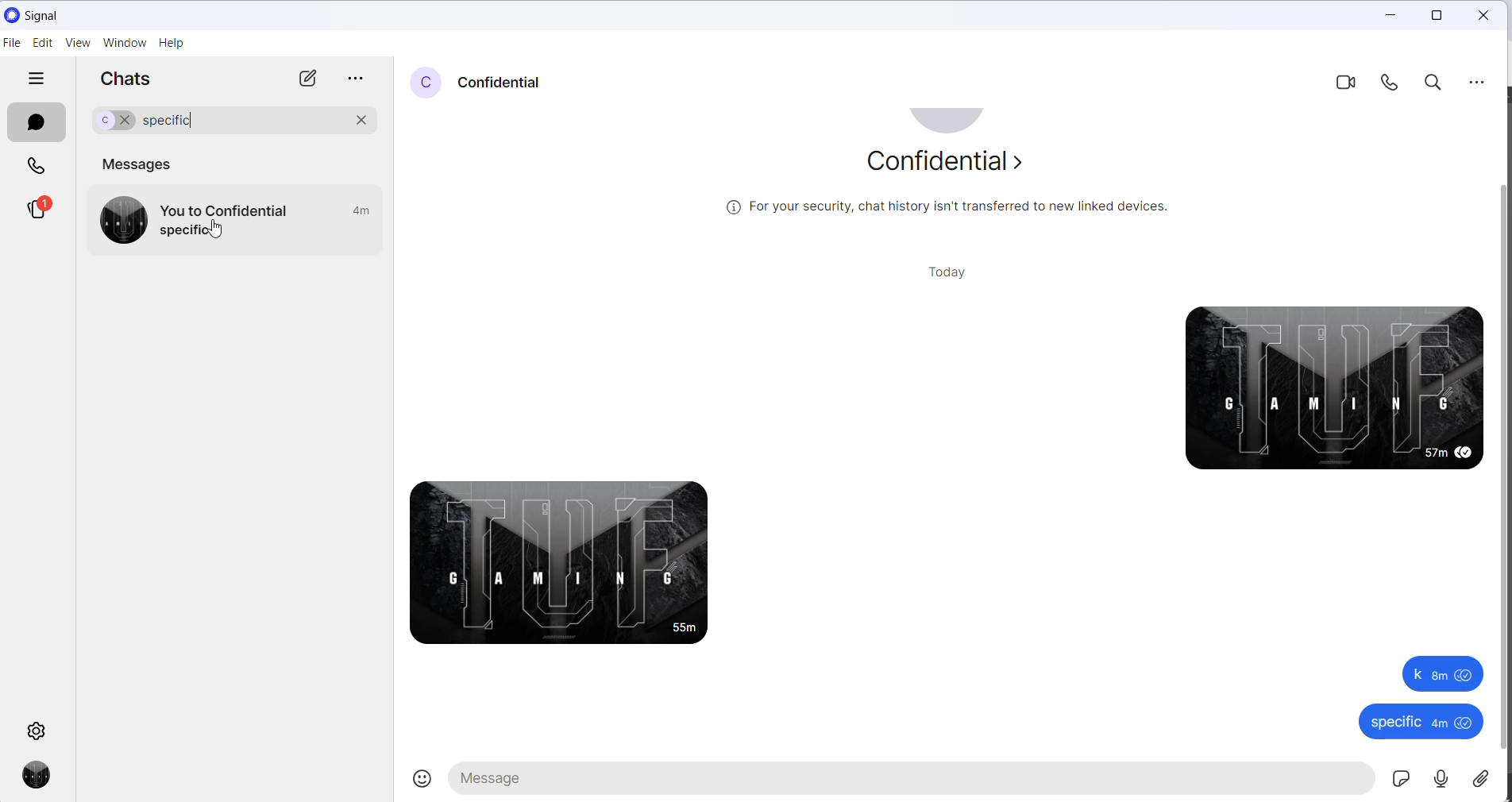 The height and width of the screenshot is (802, 1512). What do you see at coordinates (1439, 781) in the screenshot?
I see `voice mail` at bounding box center [1439, 781].